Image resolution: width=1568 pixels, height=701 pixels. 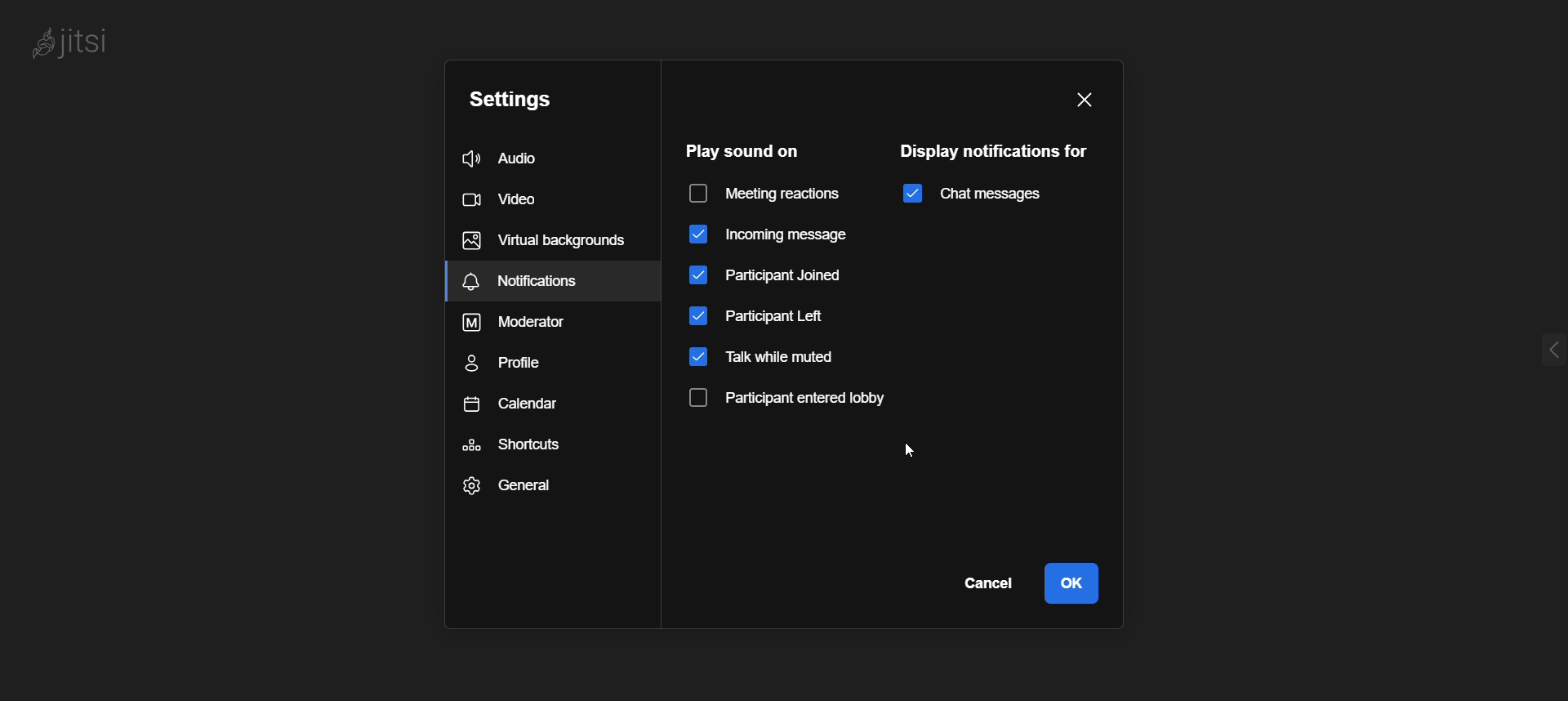 What do you see at coordinates (969, 194) in the screenshot?
I see `chat messages` at bounding box center [969, 194].